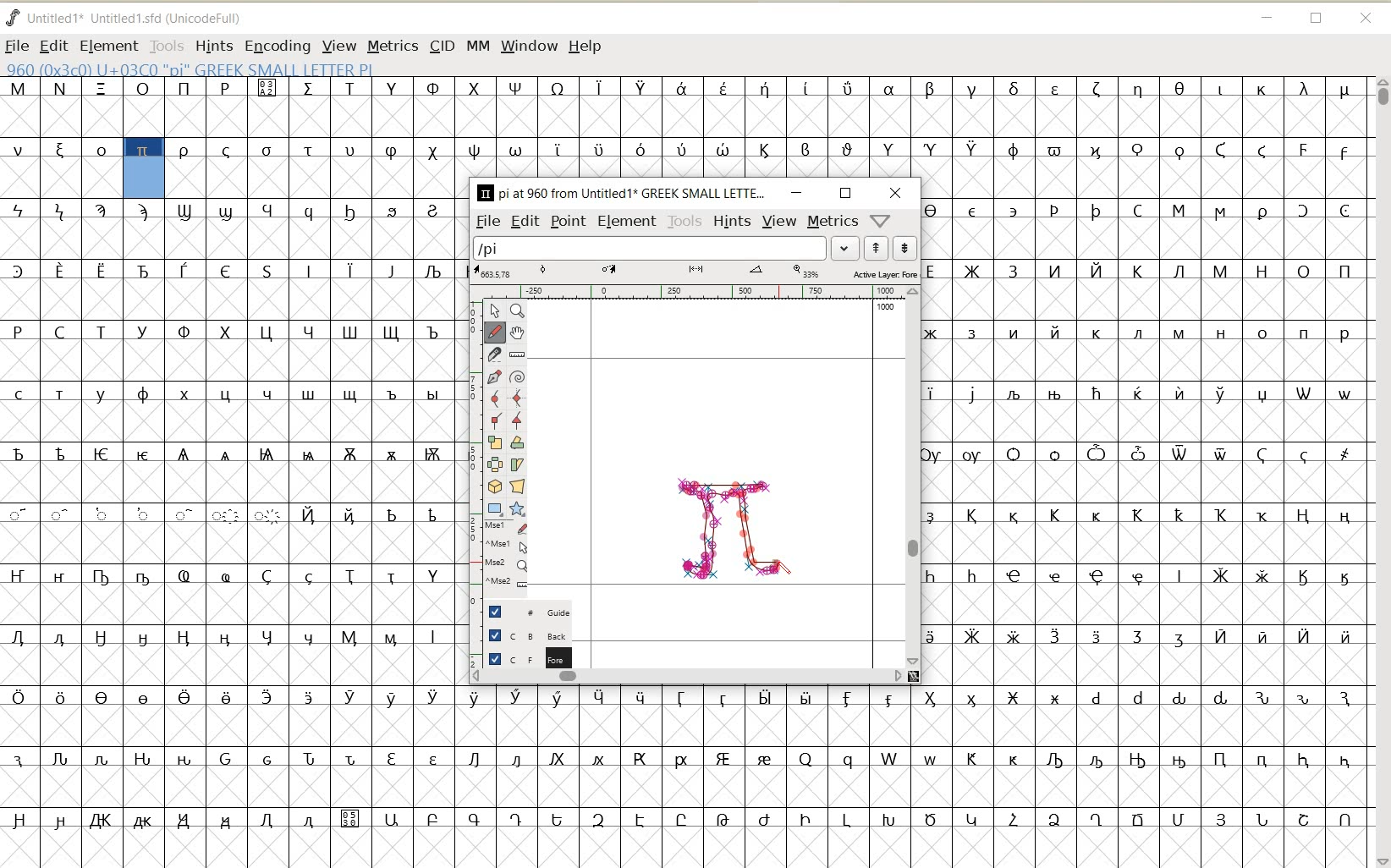 This screenshot has width=1391, height=868. What do you see at coordinates (393, 45) in the screenshot?
I see `METRICS` at bounding box center [393, 45].